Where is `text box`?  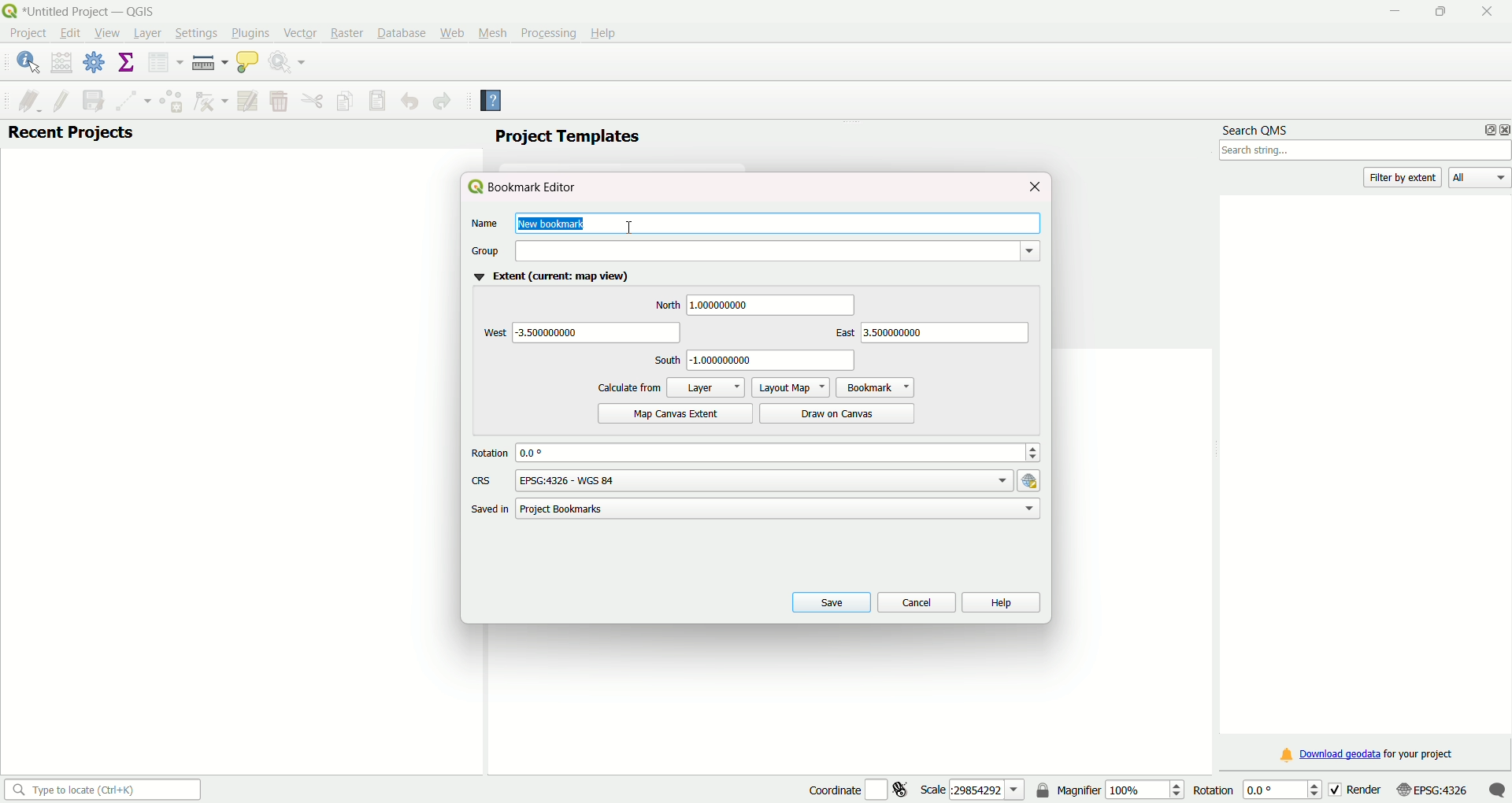
text box is located at coordinates (764, 479).